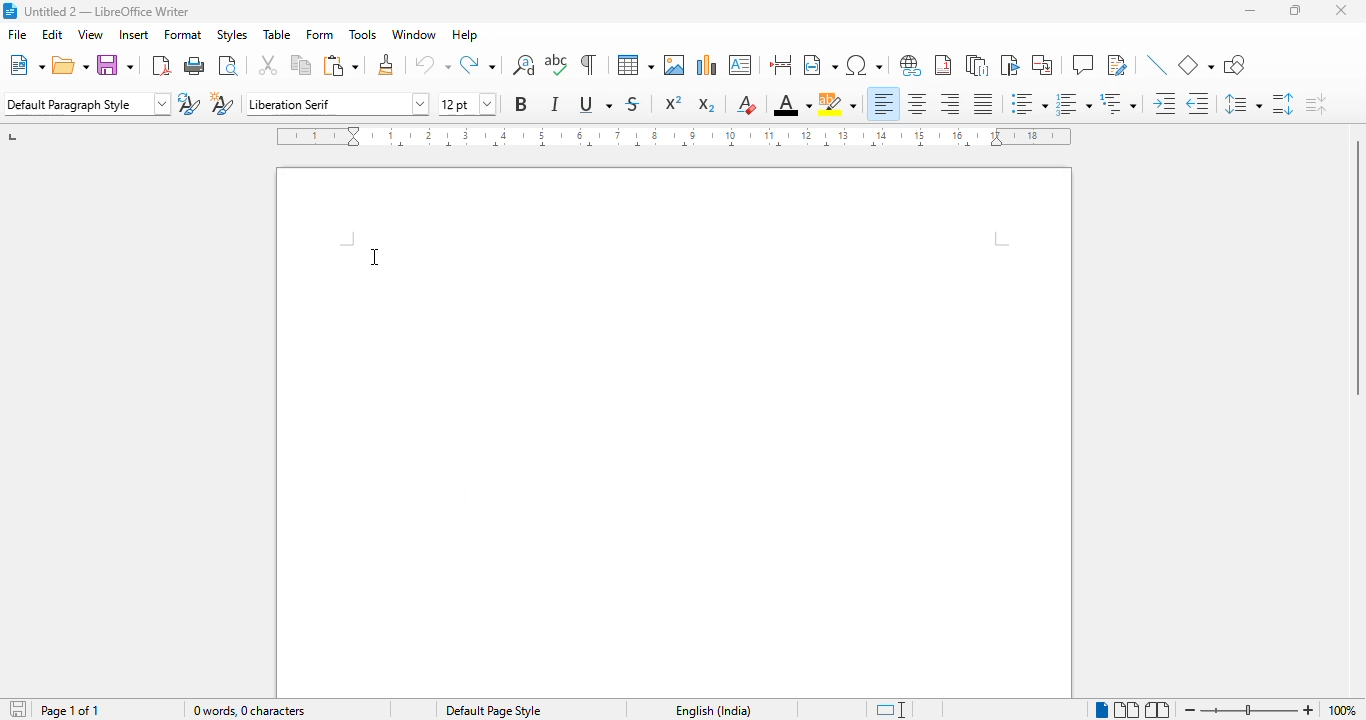 This screenshot has width=1366, height=720. I want to click on set page style, so click(86, 103).